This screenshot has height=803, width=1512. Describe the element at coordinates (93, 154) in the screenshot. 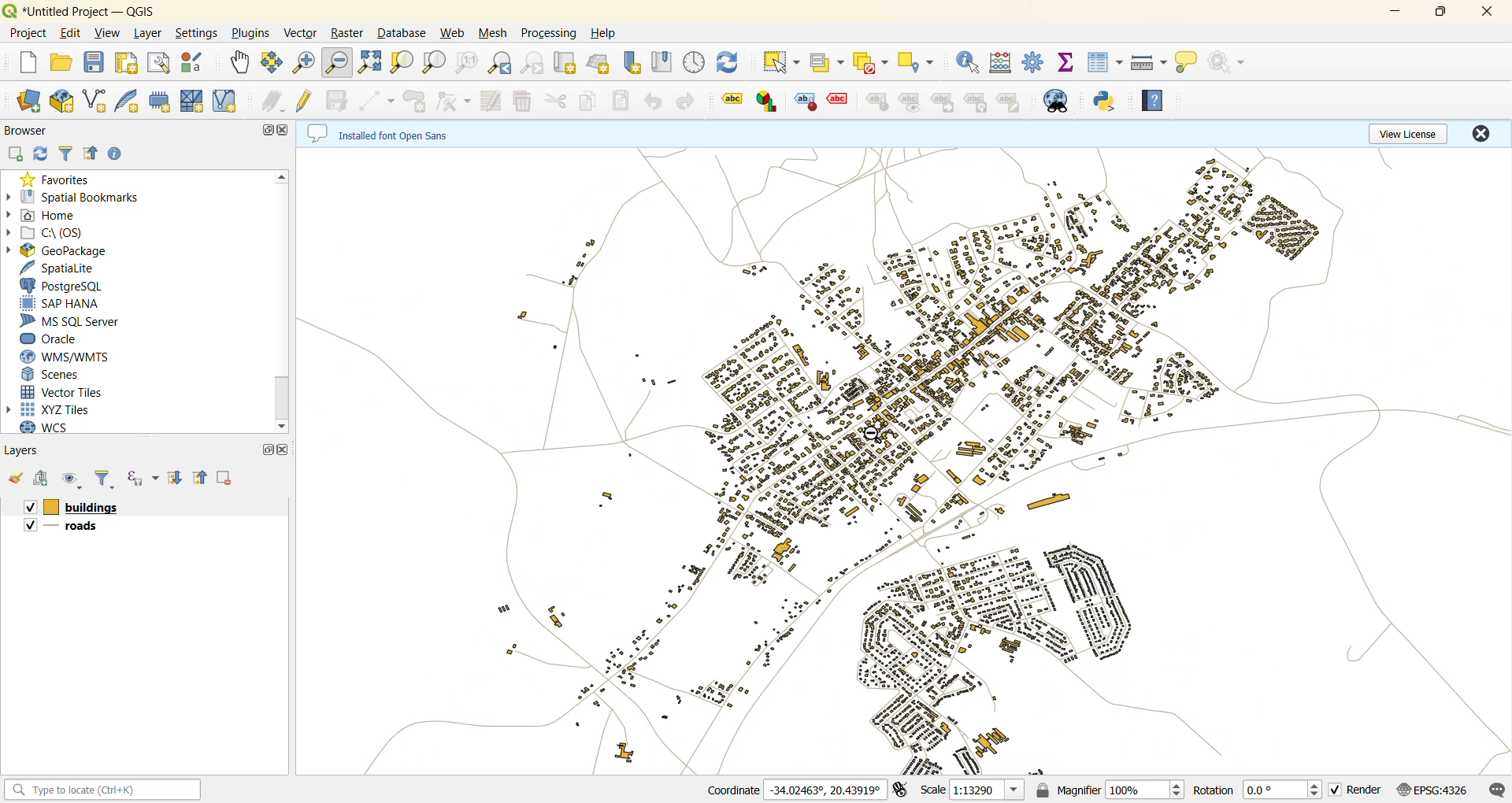

I see `collapse all` at that location.